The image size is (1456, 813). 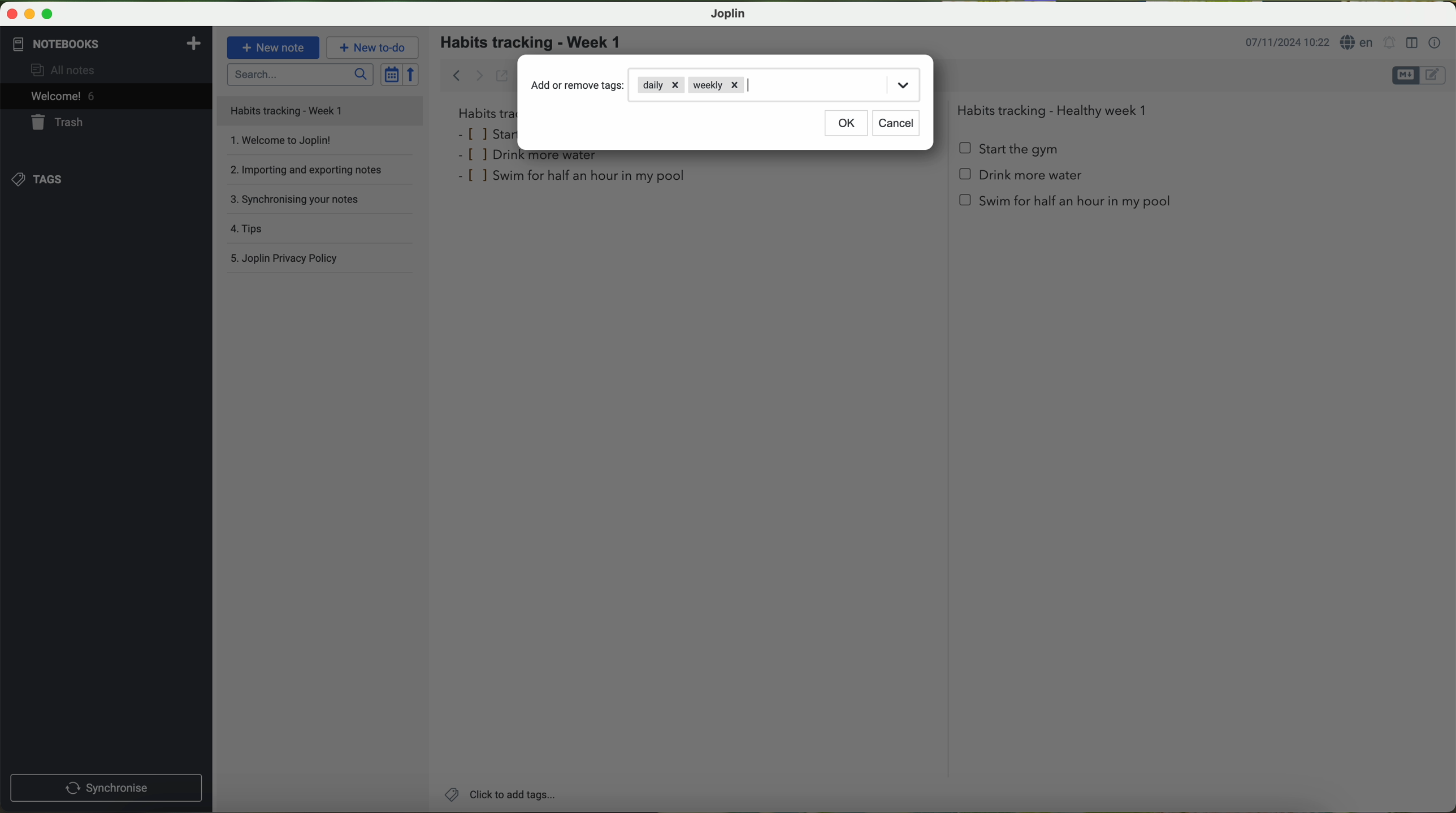 What do you see at coordinates (63, 96) in the screenshot?
I see `welcome 5` at bounding box center [63, 96].